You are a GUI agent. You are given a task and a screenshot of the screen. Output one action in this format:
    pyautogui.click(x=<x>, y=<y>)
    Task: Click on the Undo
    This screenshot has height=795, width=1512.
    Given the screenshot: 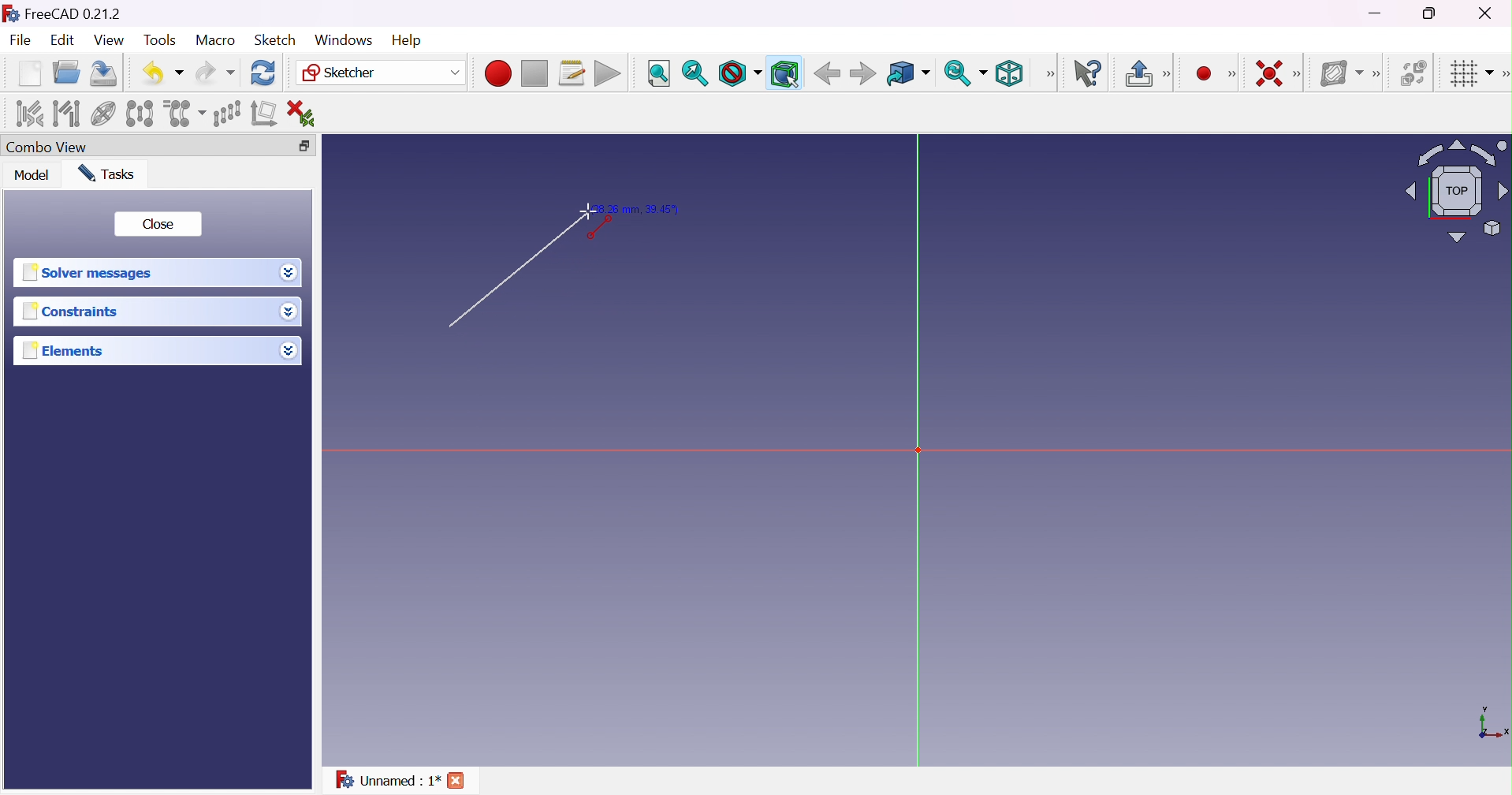 What is the action you would take?
    pyautogui.click(x=162, y=72)
    